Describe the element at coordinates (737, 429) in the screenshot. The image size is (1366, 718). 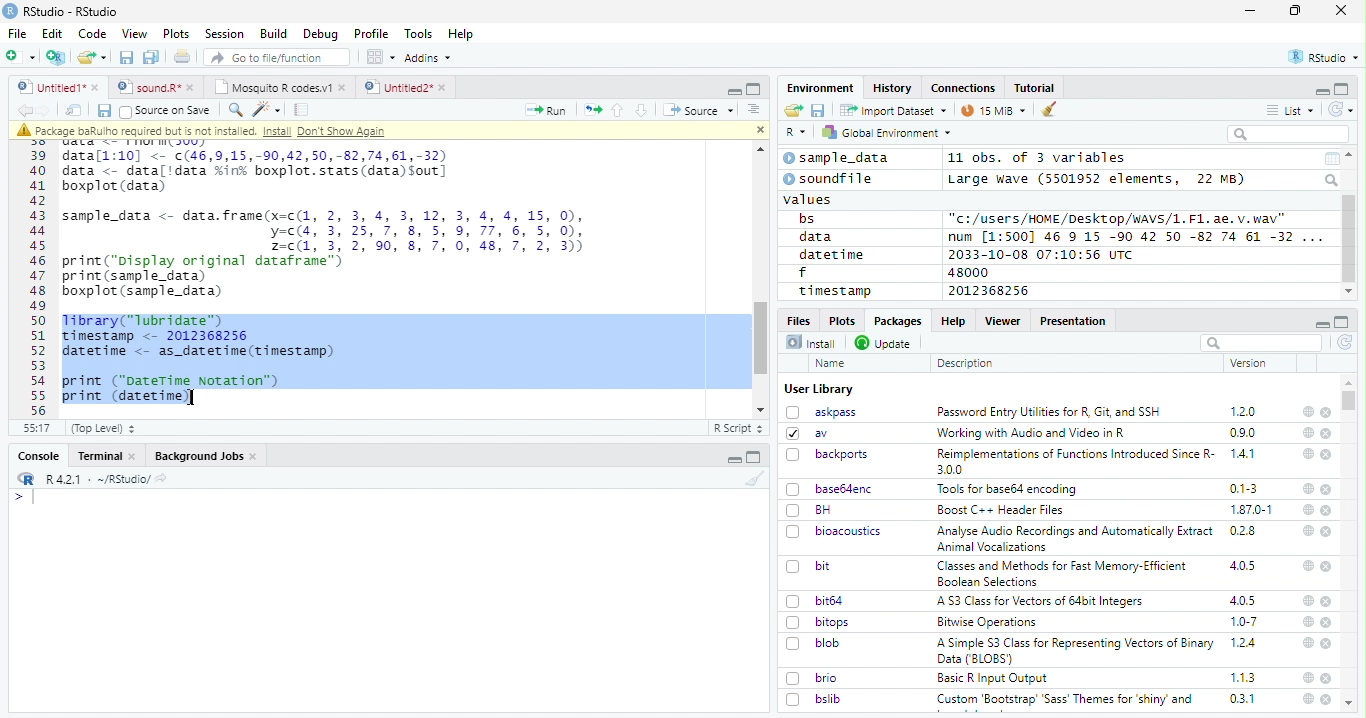
I see `R Script` at that location.